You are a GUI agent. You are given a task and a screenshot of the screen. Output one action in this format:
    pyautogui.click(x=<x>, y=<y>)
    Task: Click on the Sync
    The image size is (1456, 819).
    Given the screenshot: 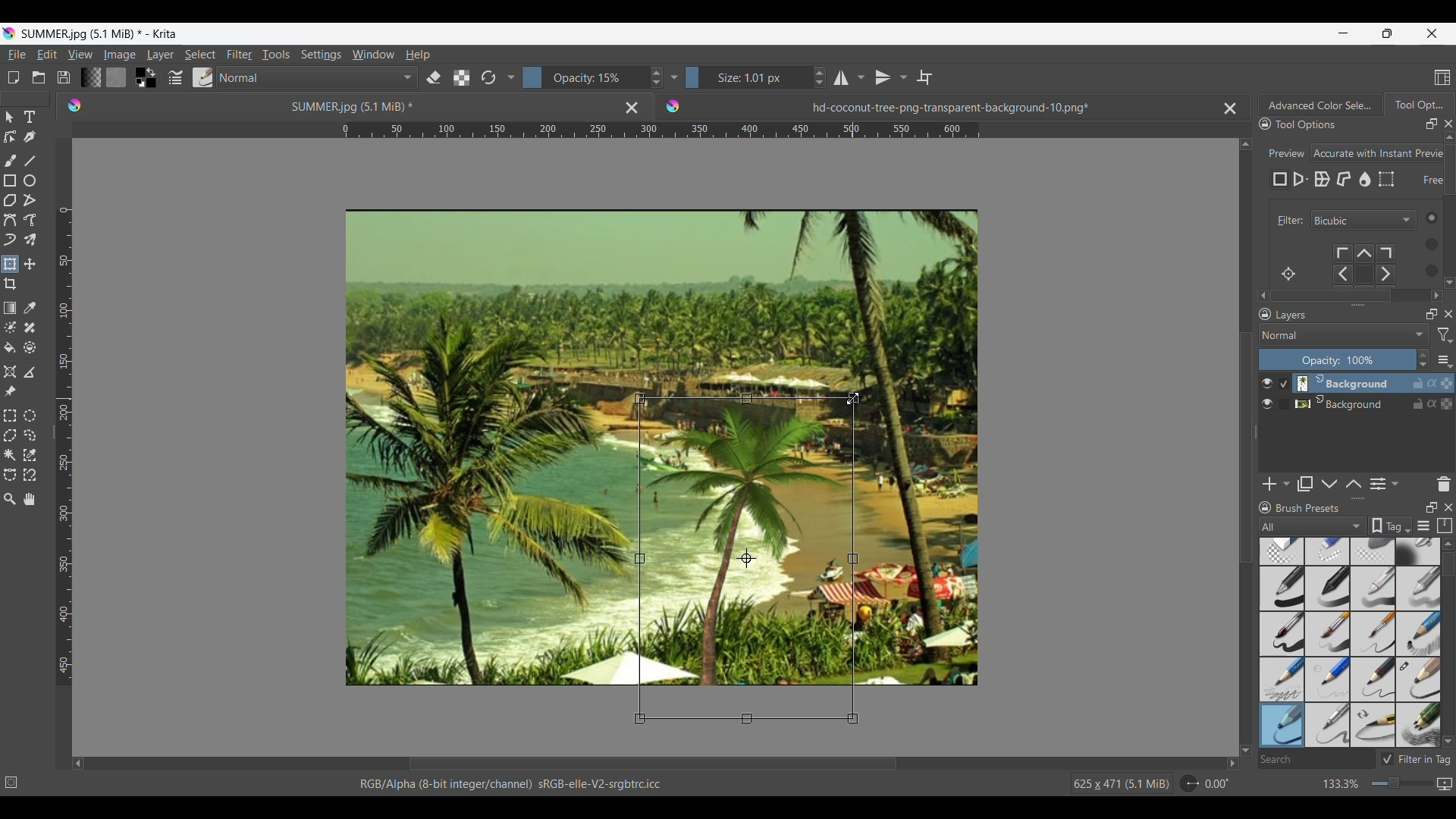 What is the action you would take?
    pyautogui.click(x=1432, y=400)
    